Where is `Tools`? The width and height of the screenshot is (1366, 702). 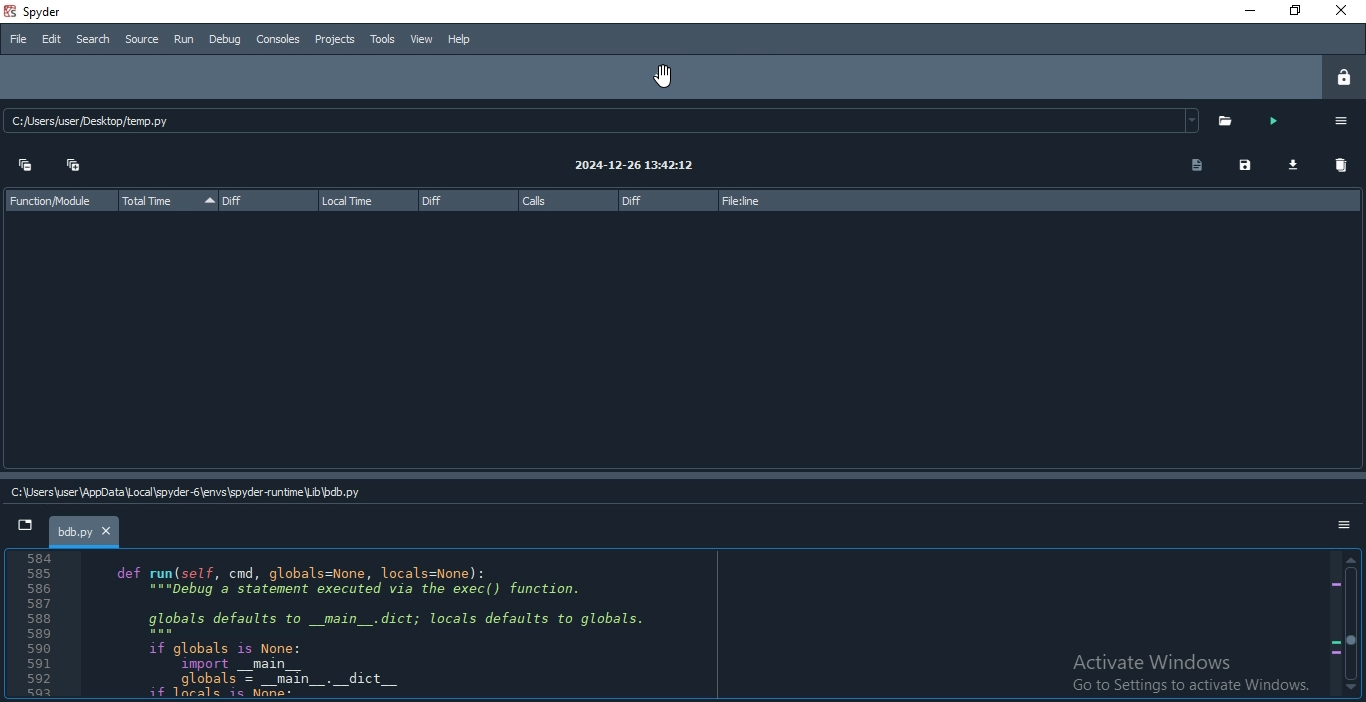 Tools is located at coordinates (383, 39).